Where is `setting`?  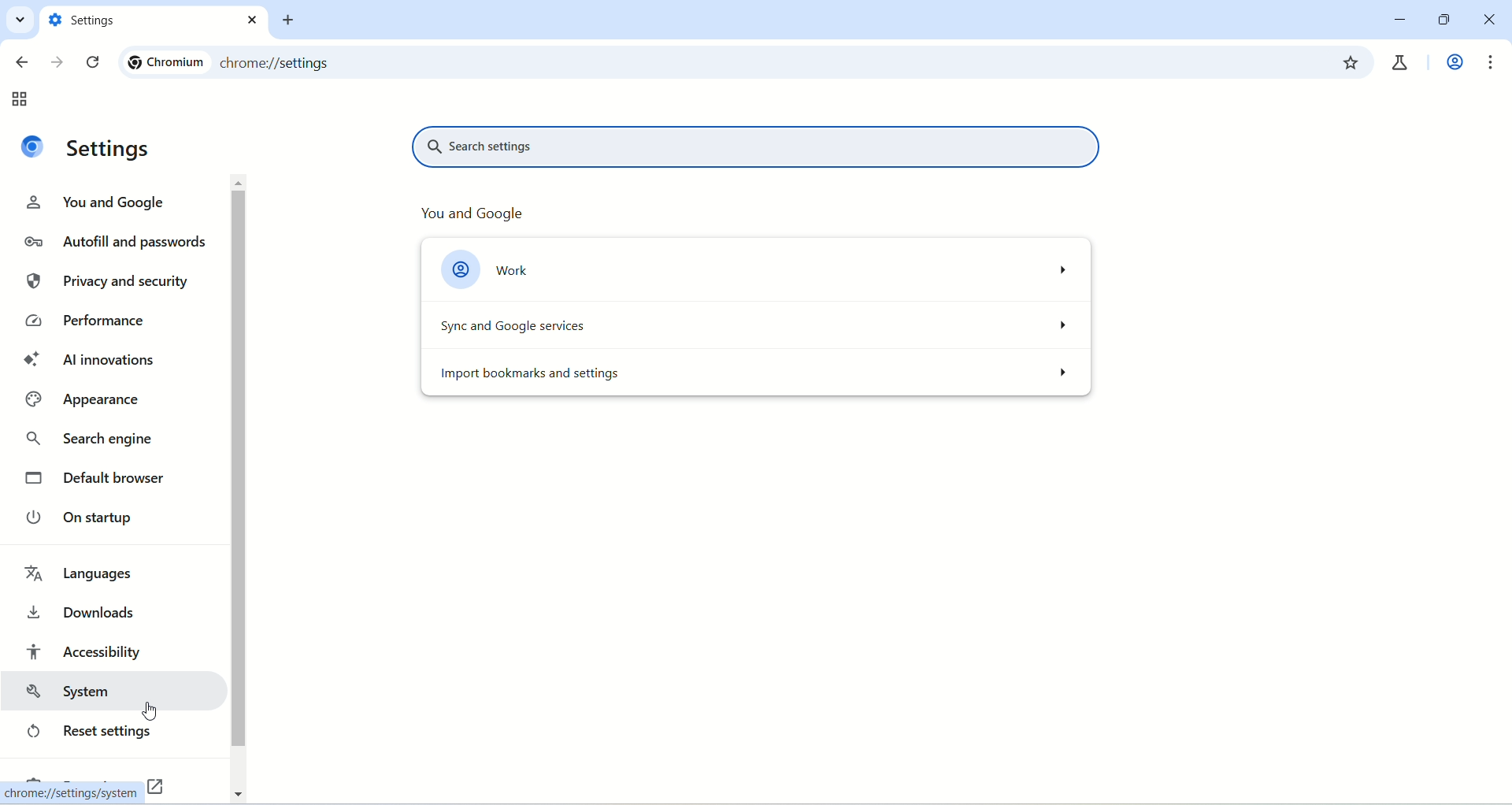
setting is located at coordinates (139, 20).